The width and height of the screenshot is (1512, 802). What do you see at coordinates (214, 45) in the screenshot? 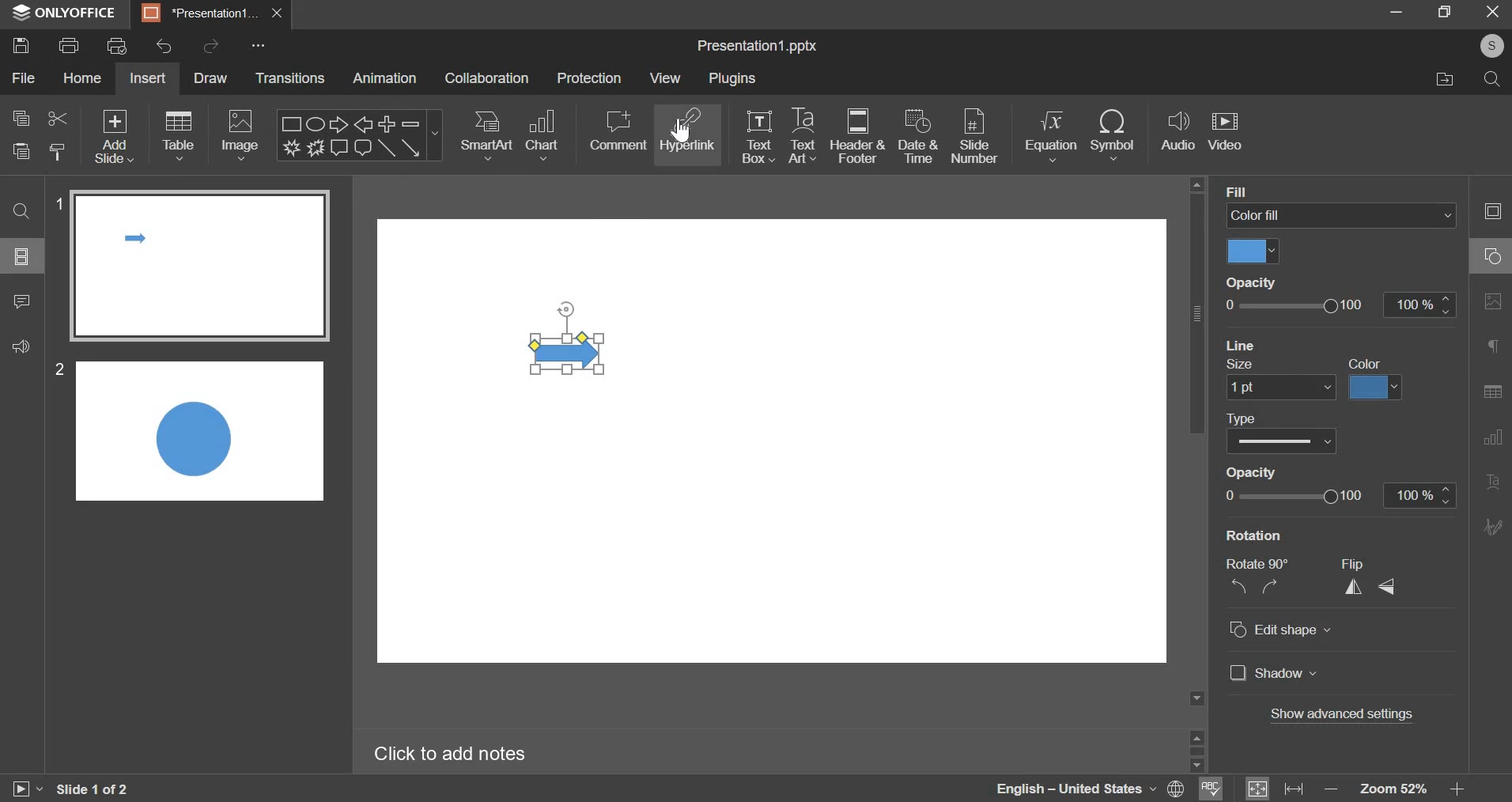
I see `redo` at bounding box center [214, 45].